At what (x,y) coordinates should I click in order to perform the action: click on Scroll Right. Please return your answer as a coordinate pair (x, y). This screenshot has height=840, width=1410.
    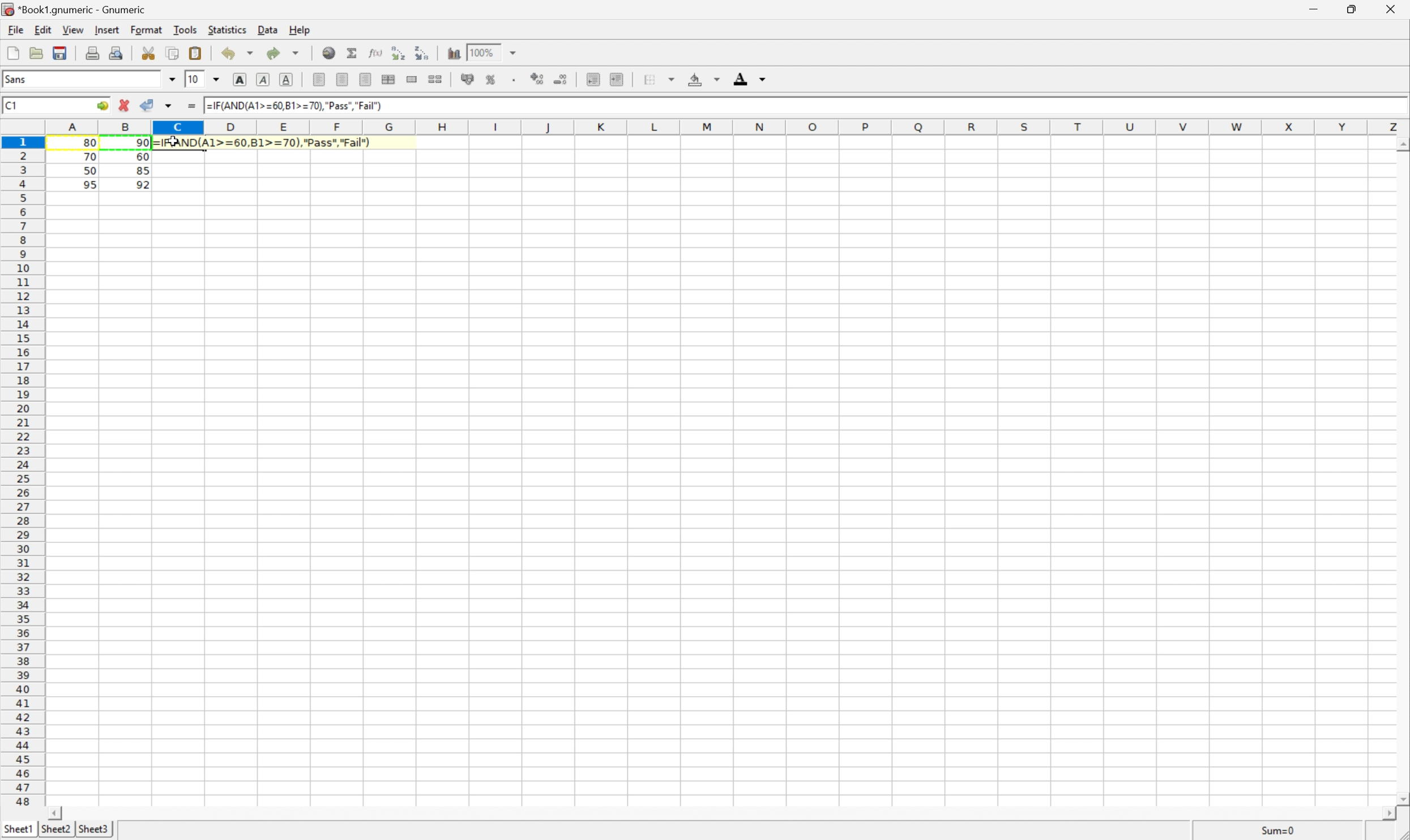
    Looking at the image, I should click on (1385, 813).